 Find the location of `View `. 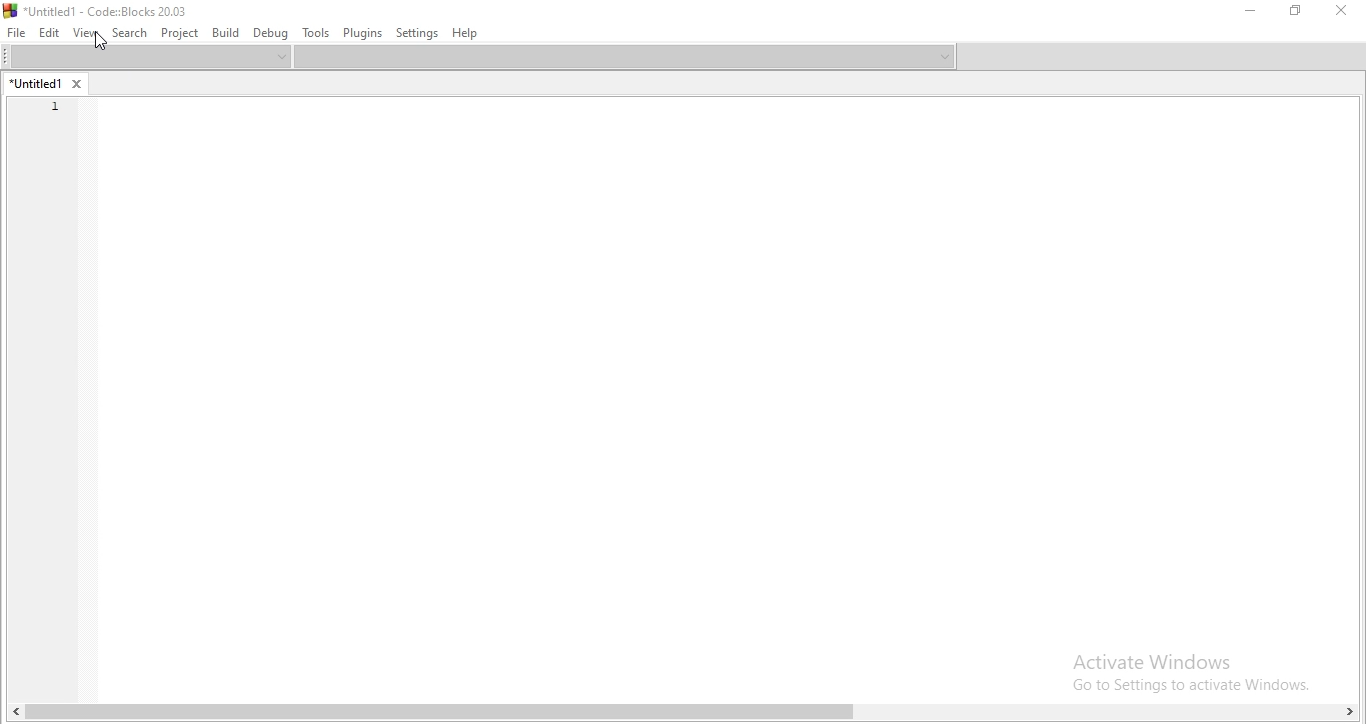

View  is located at coordinates (86, 33).